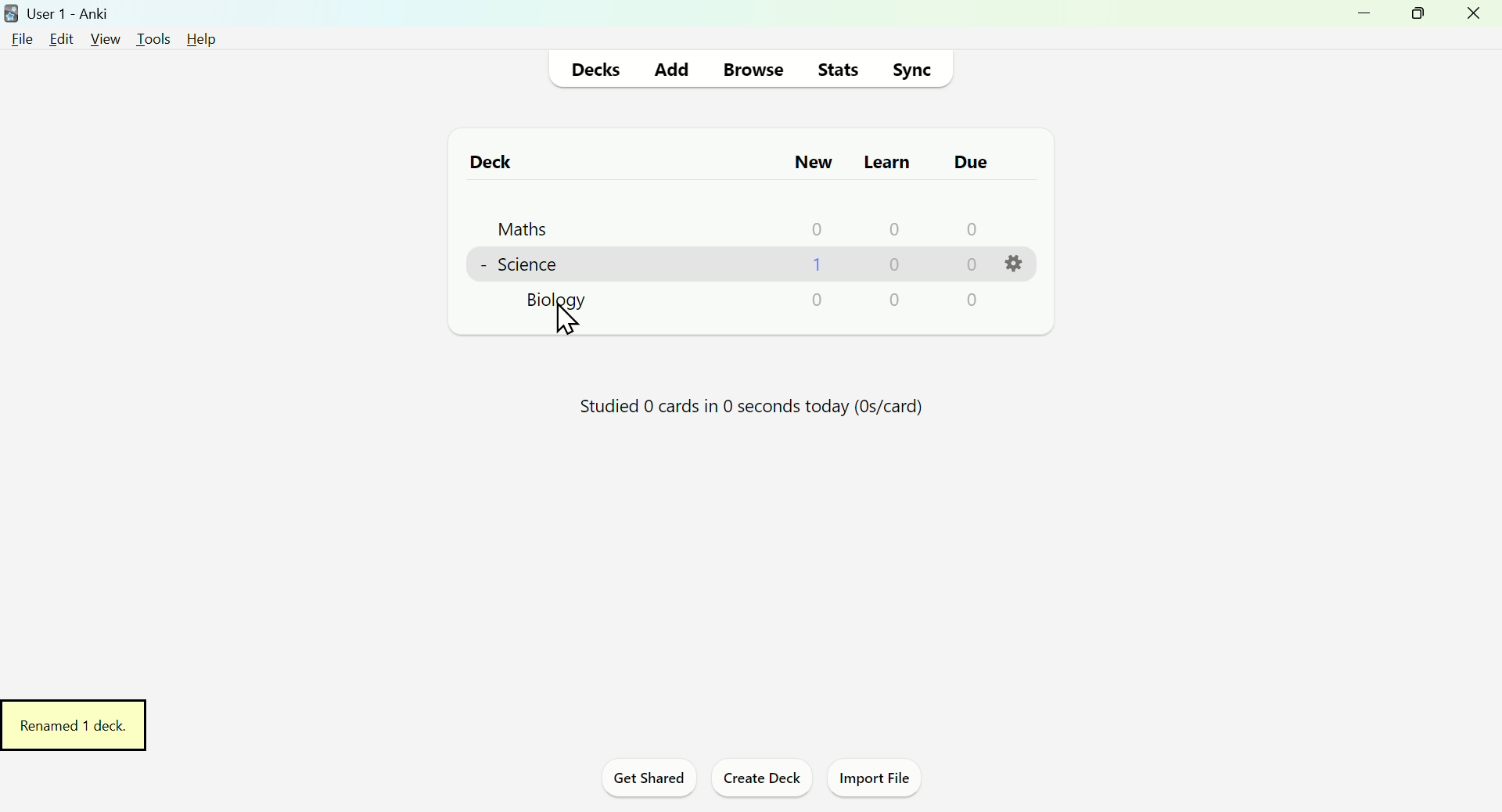 This screenshot has width=1502, height=812. What do you see at coordinates (970, 228) in the screenshot?
I see `0` at bounding box center [970, 228].